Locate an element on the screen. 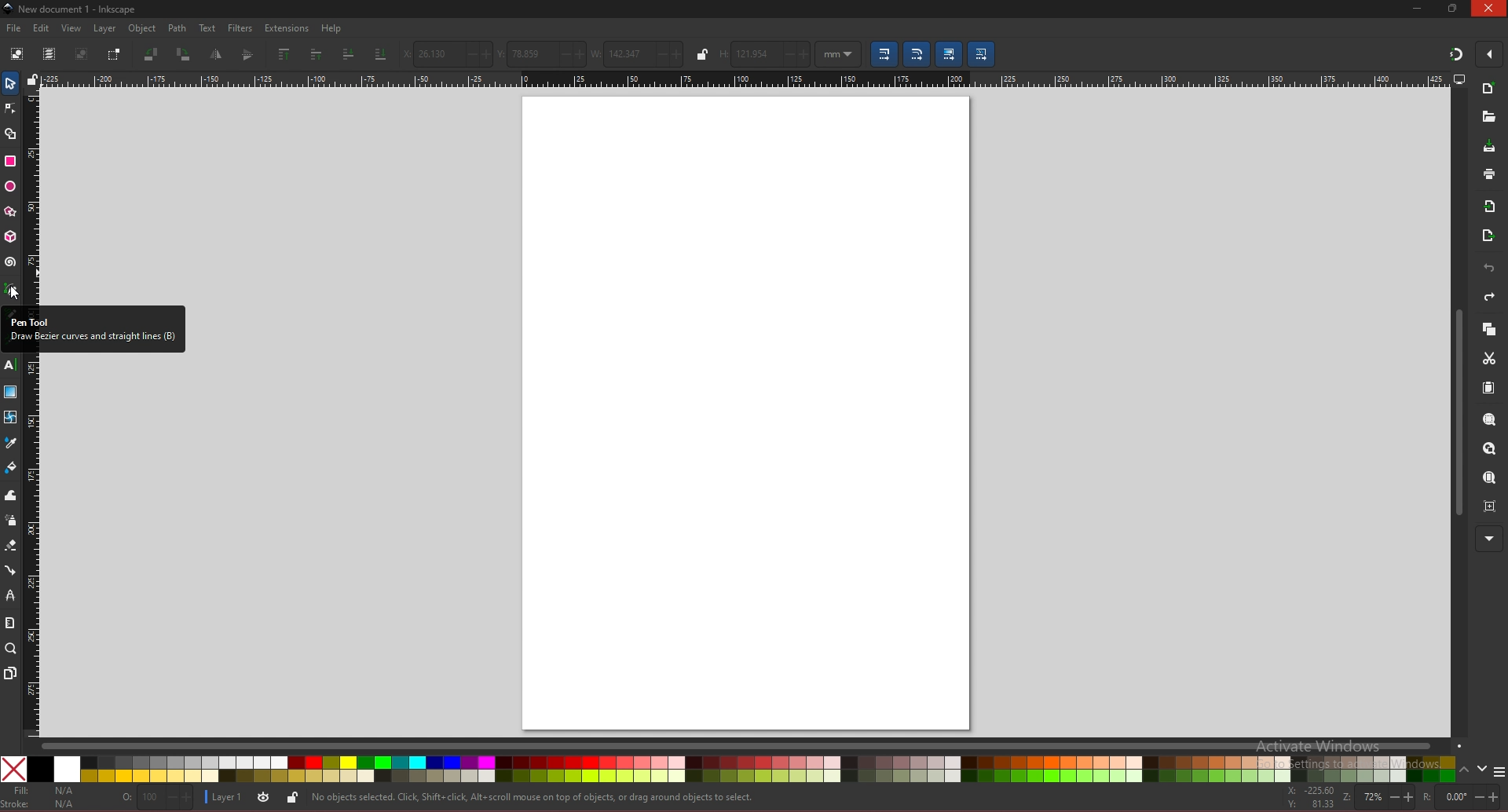 This screenshot has height=812, width=1508. lower selection one step is located at coordinates (350, 54).